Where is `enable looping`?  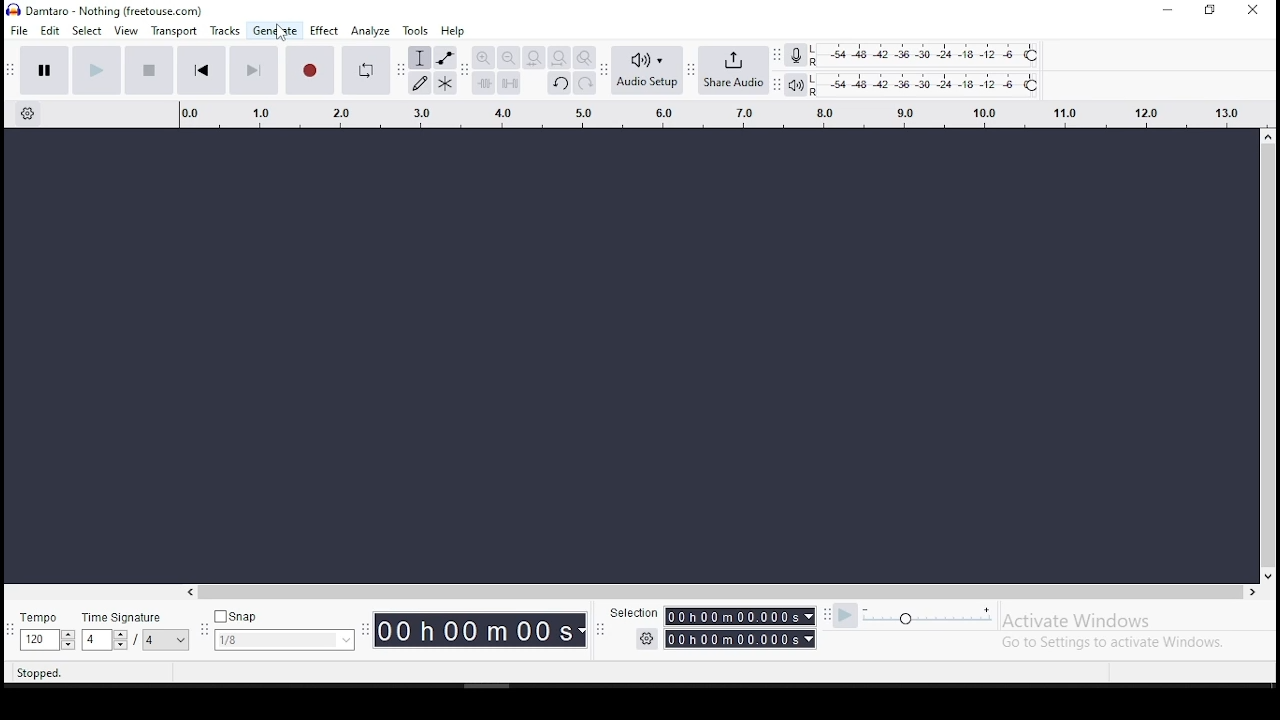
enable looping is located at coordinates (367, 70).